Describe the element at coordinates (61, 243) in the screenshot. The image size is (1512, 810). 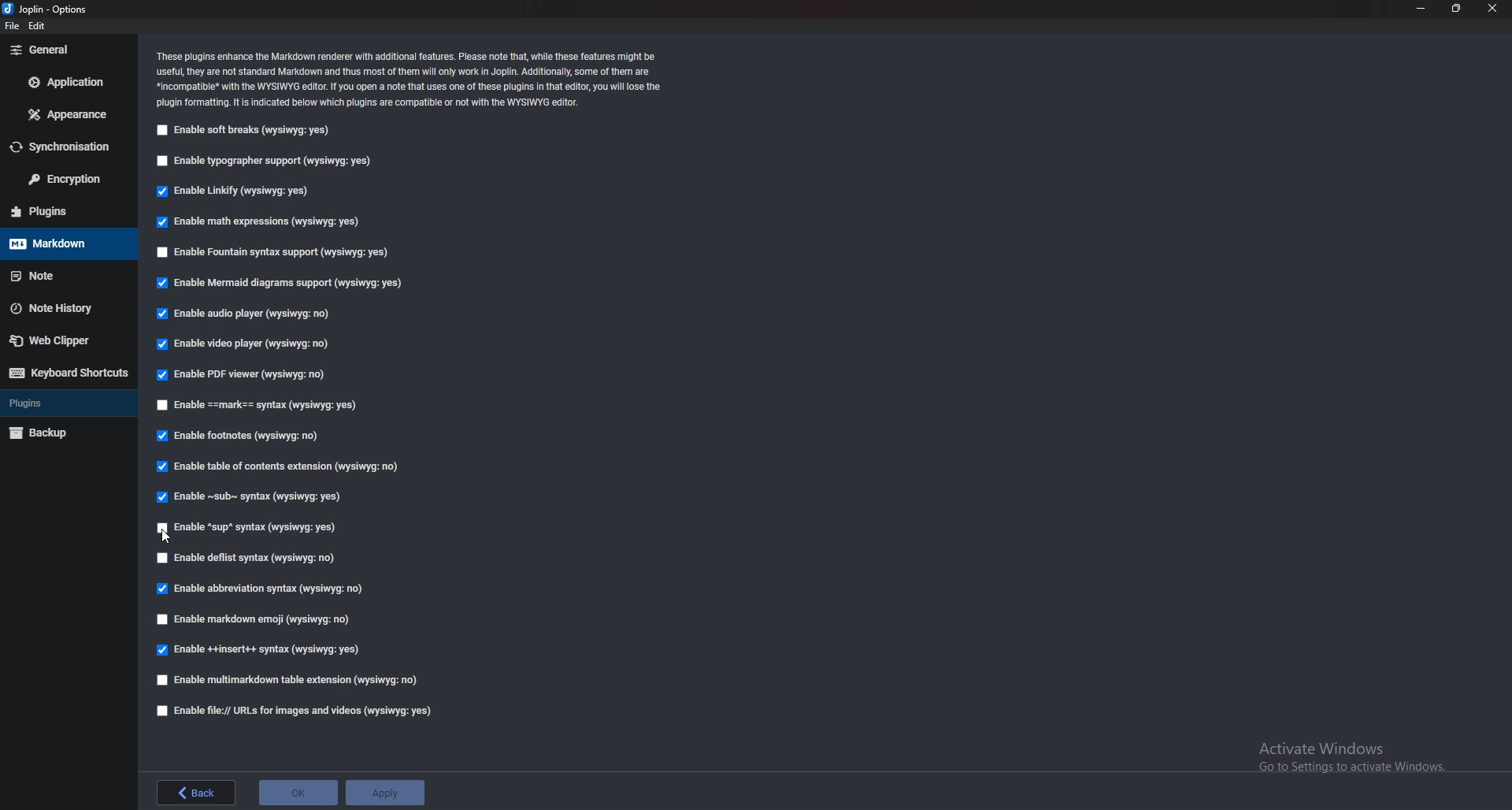
I see `Mark down` at that location.